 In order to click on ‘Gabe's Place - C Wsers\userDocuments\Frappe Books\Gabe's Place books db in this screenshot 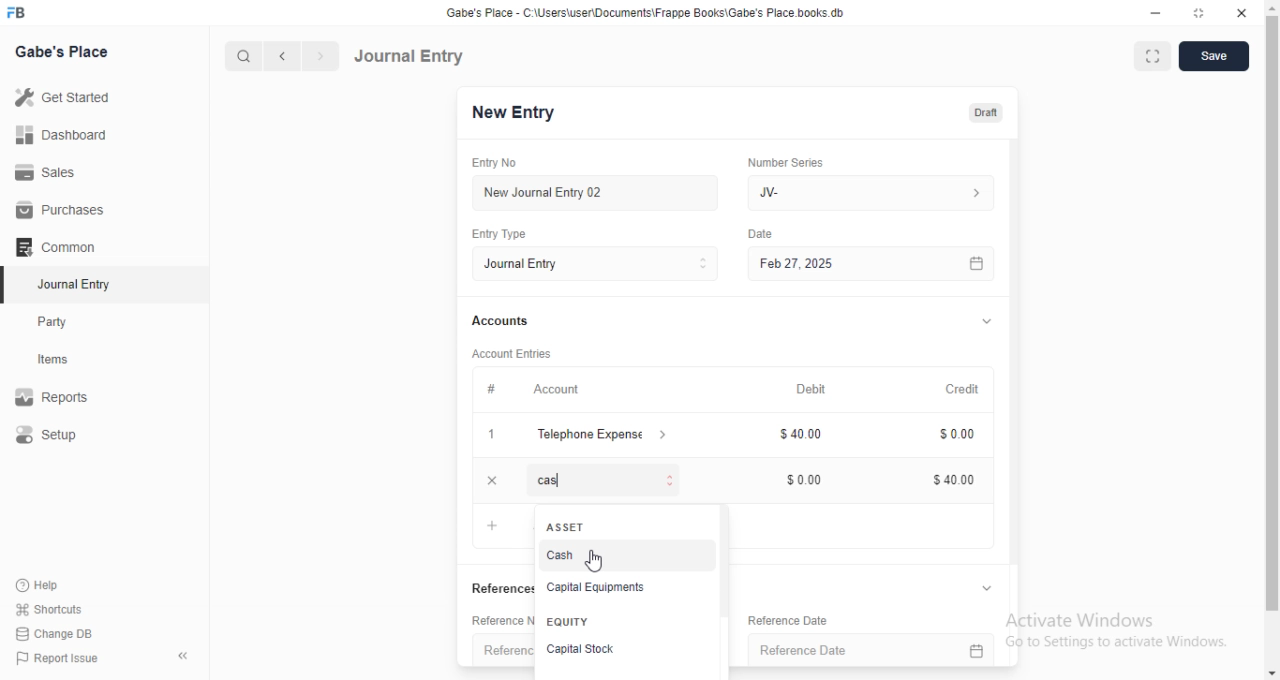, I will do `click(659, 11)`.